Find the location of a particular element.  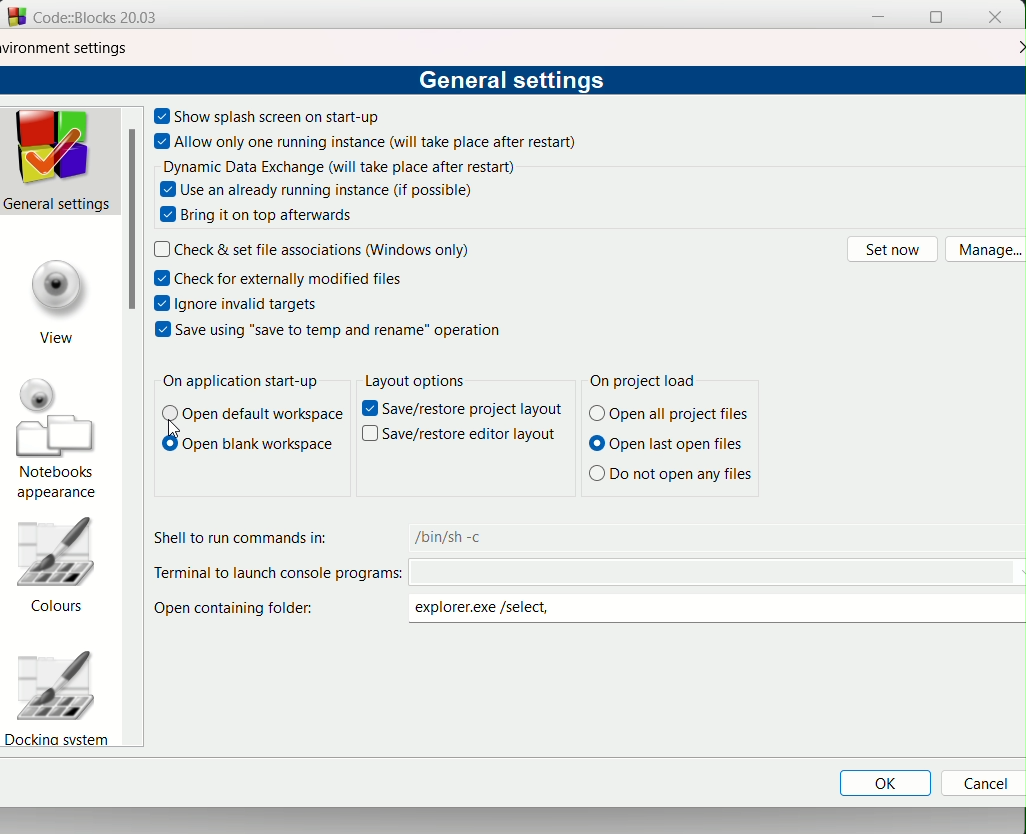

checkbox is located at coordinates (161, 249).